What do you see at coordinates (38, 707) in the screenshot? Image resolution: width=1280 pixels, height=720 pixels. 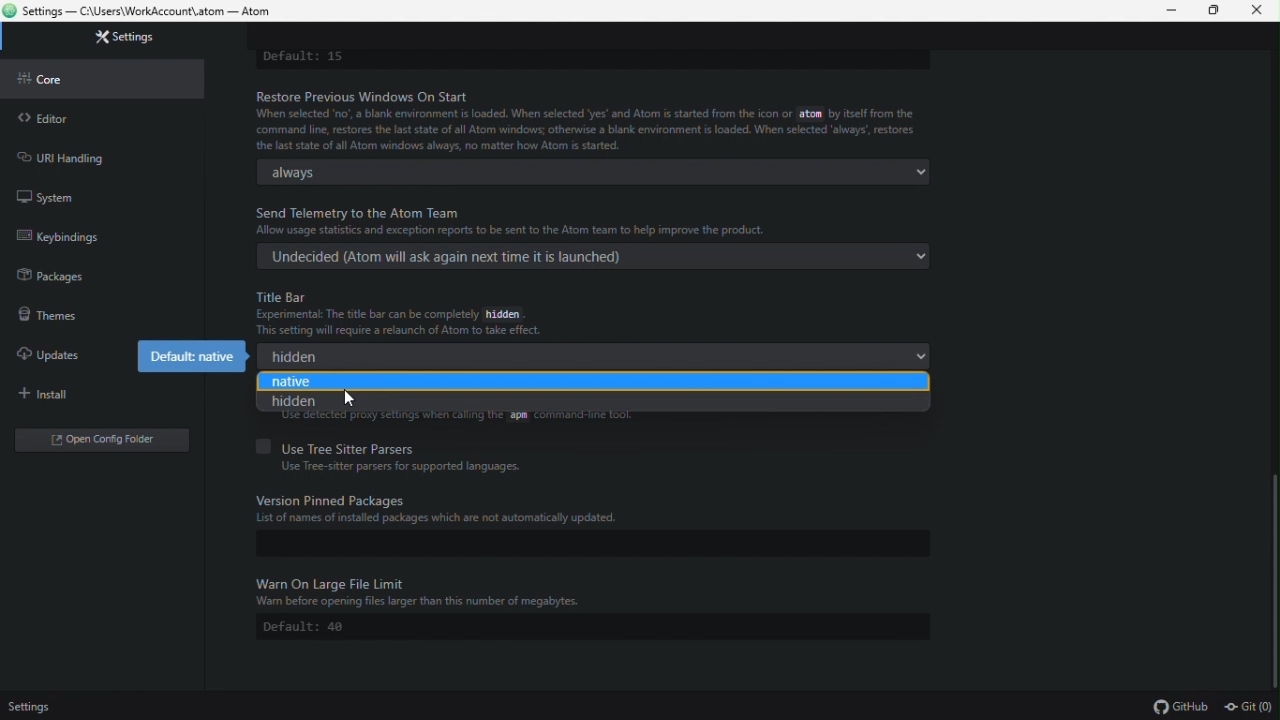 I see `Settings` at bounding box center [38, 707].